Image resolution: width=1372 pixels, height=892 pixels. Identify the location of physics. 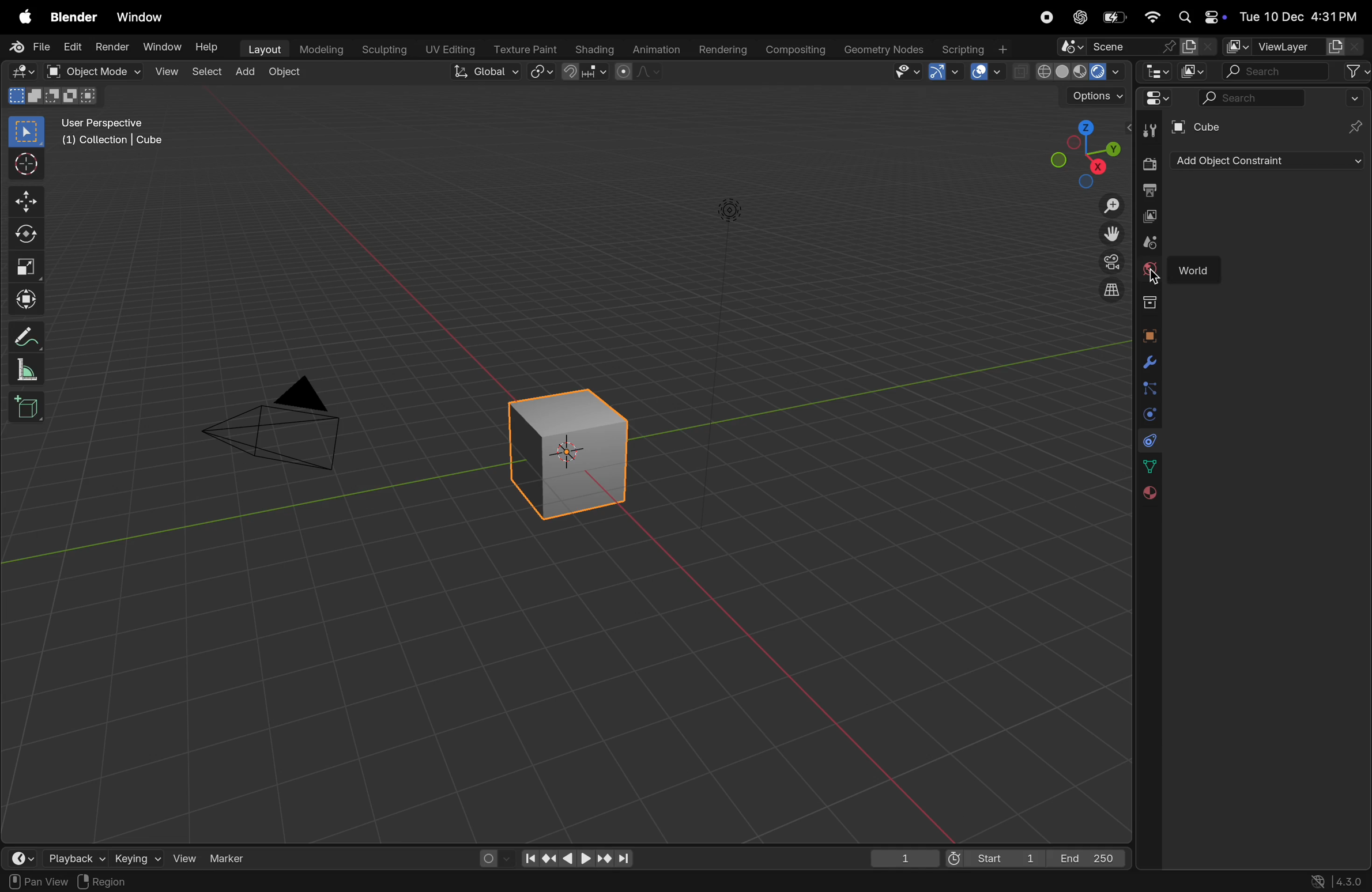
(1148, 414).